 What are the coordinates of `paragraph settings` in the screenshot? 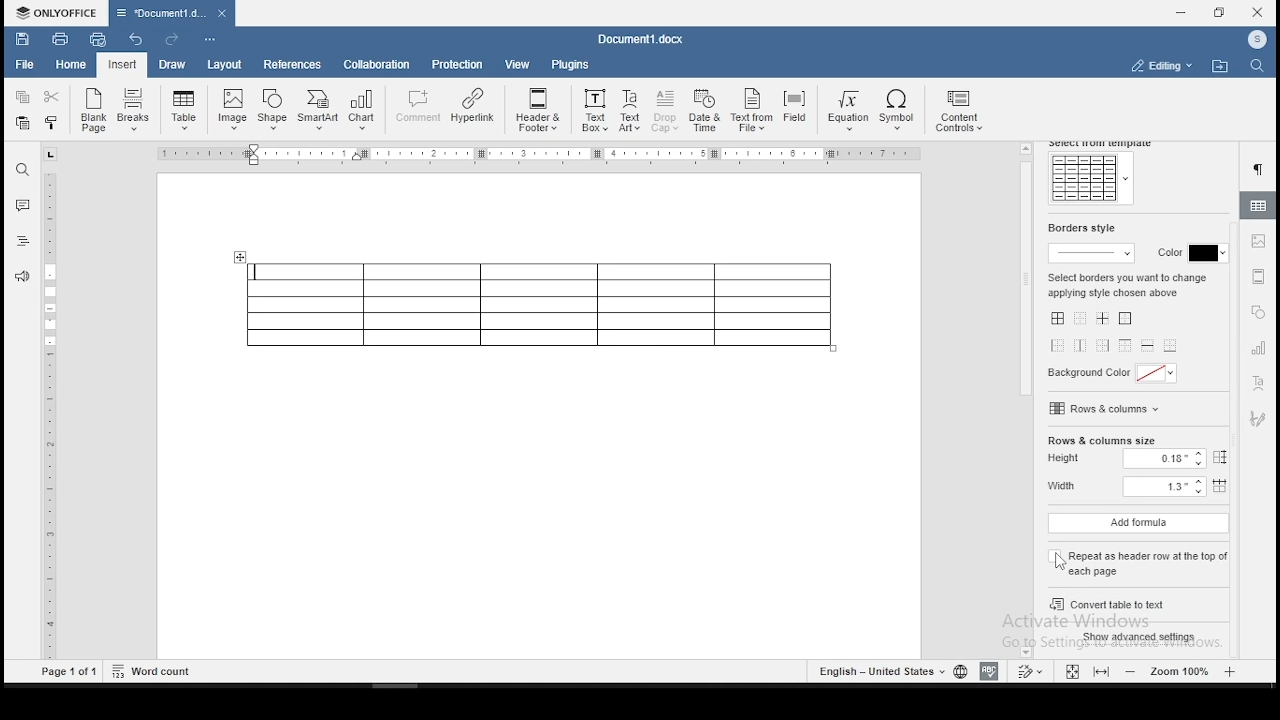 It's located at (1261, 170).